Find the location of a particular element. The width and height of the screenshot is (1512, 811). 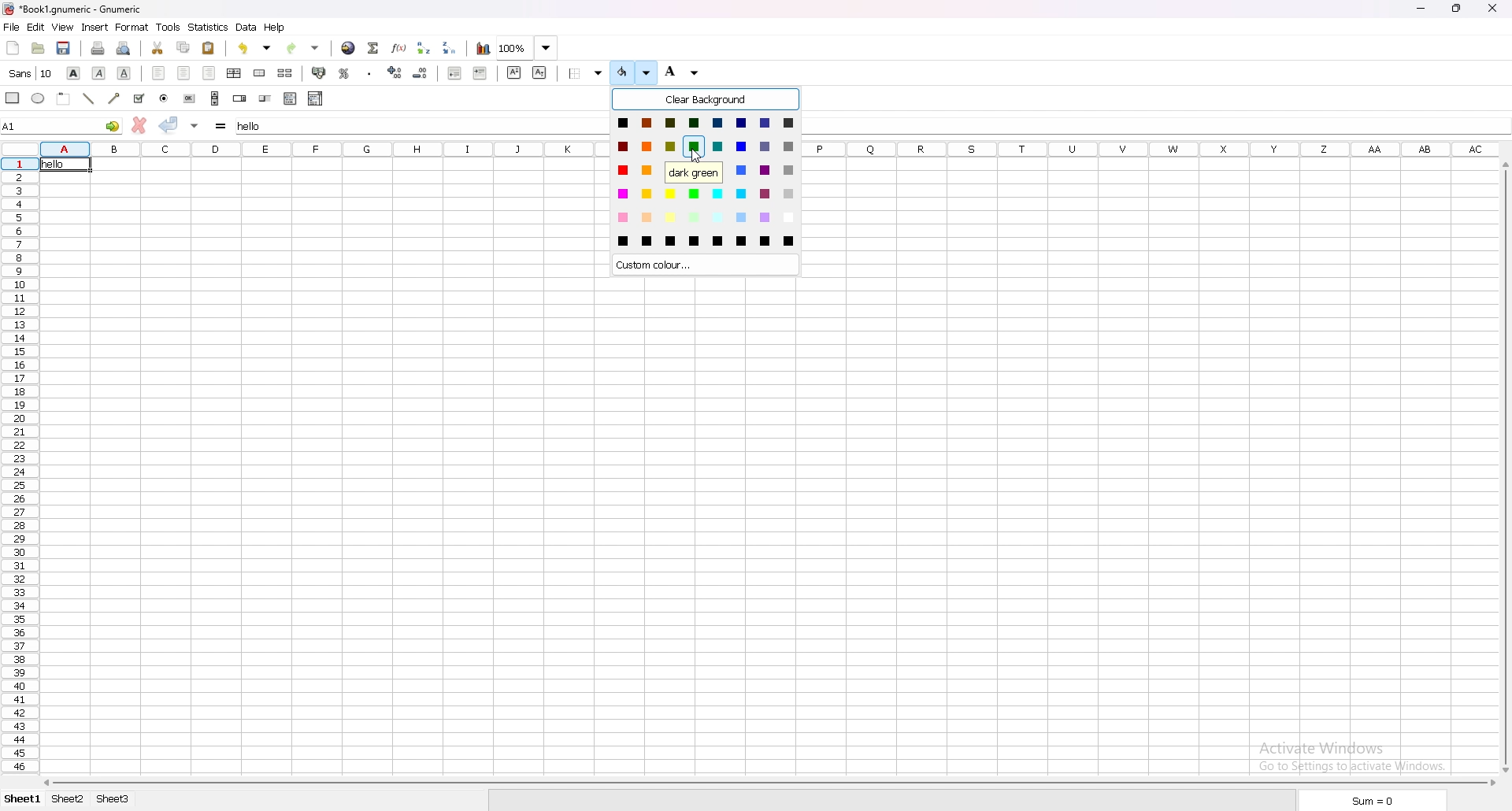

decrease indent is located at coordinates (454, 72).